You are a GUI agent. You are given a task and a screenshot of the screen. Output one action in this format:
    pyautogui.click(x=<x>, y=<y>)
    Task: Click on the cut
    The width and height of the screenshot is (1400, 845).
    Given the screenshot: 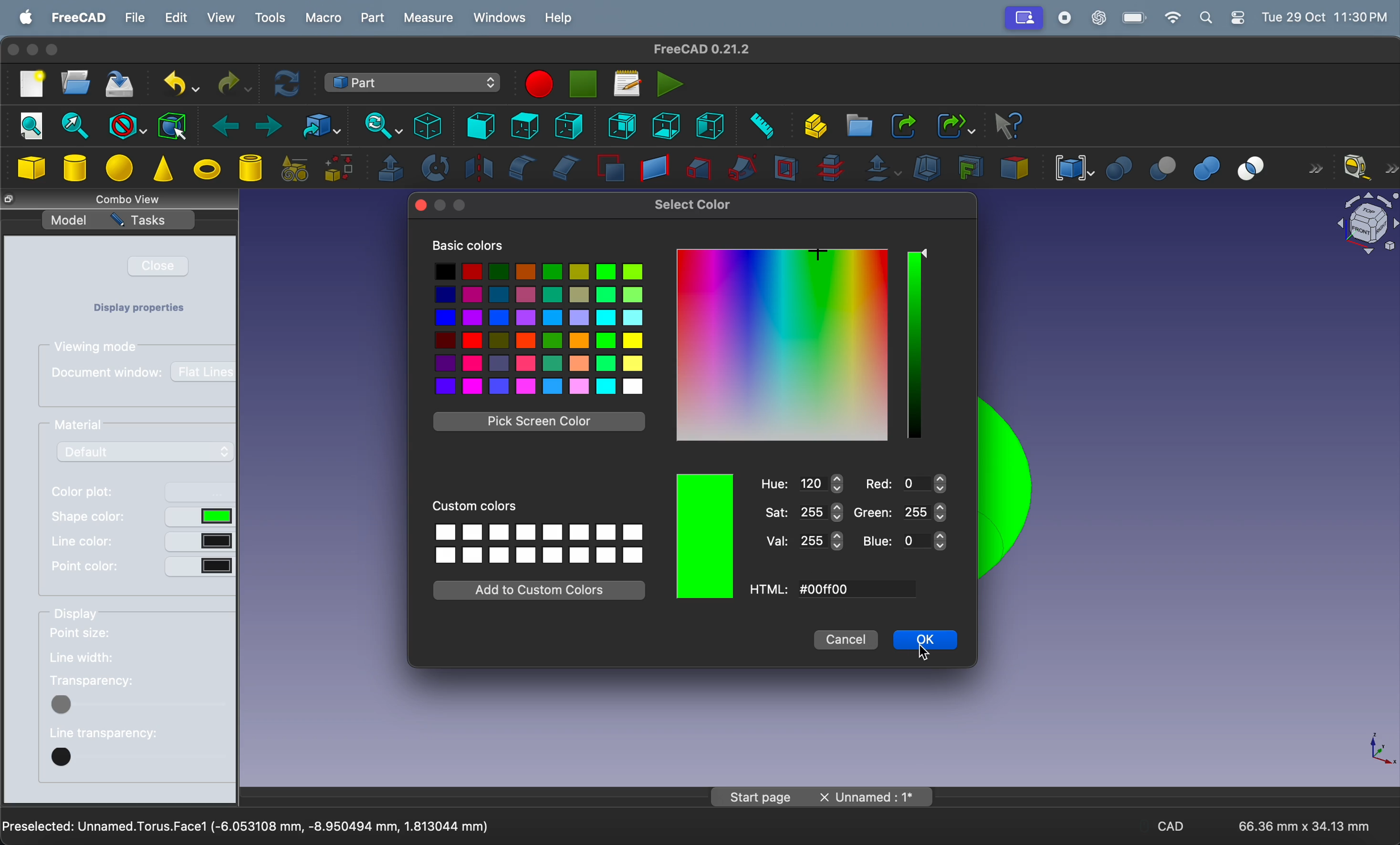 What is the action you would take?
    pyautogui.click(x=1158, y=166)
    